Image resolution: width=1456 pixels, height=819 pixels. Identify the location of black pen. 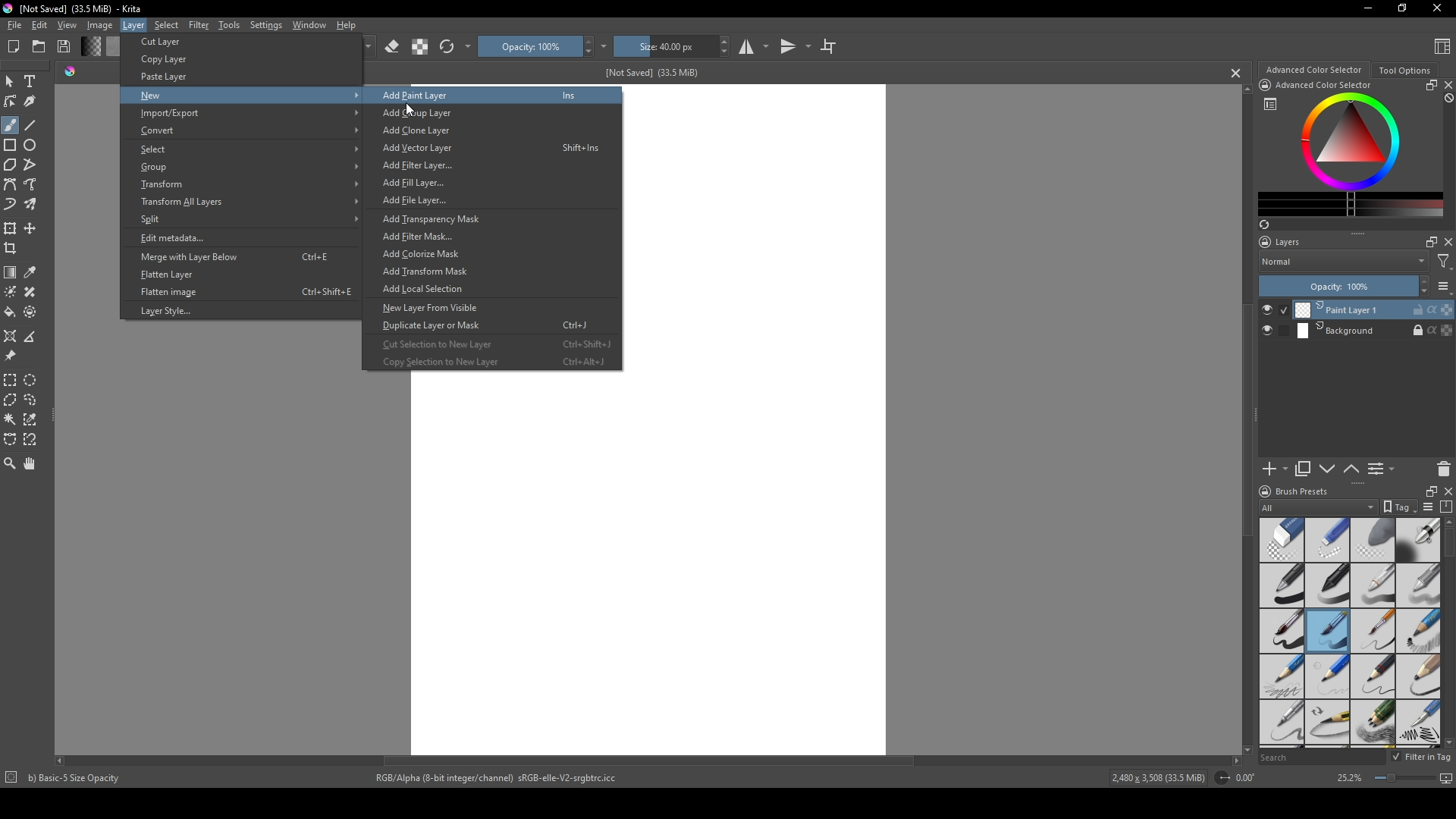
(1328, 585).